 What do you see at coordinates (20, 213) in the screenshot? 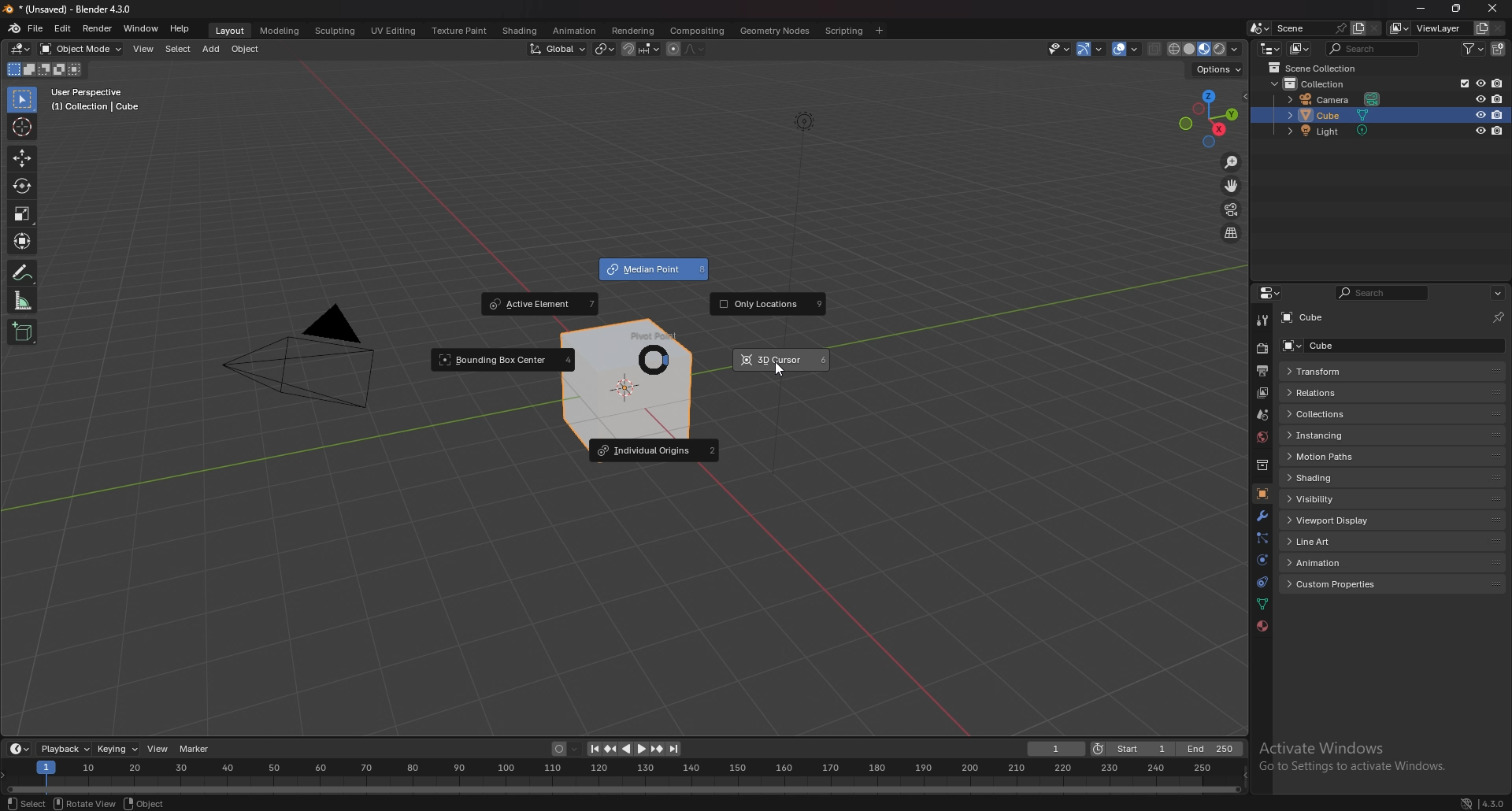
I see `scale` at bounding box center [20, 213].